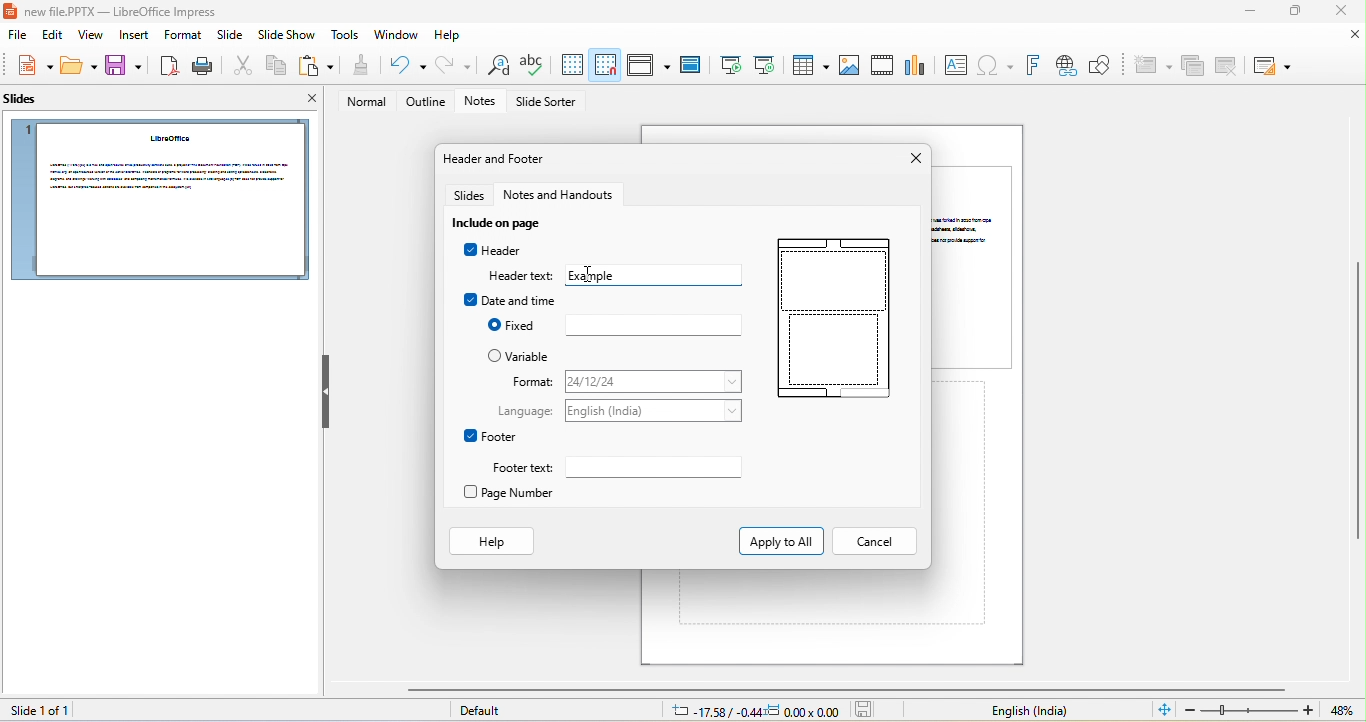 This screenshot has height=722, width=1366. Describe the element at coordinates (326, 391) in the screenshot. I see `hide left sidebar` at that location.